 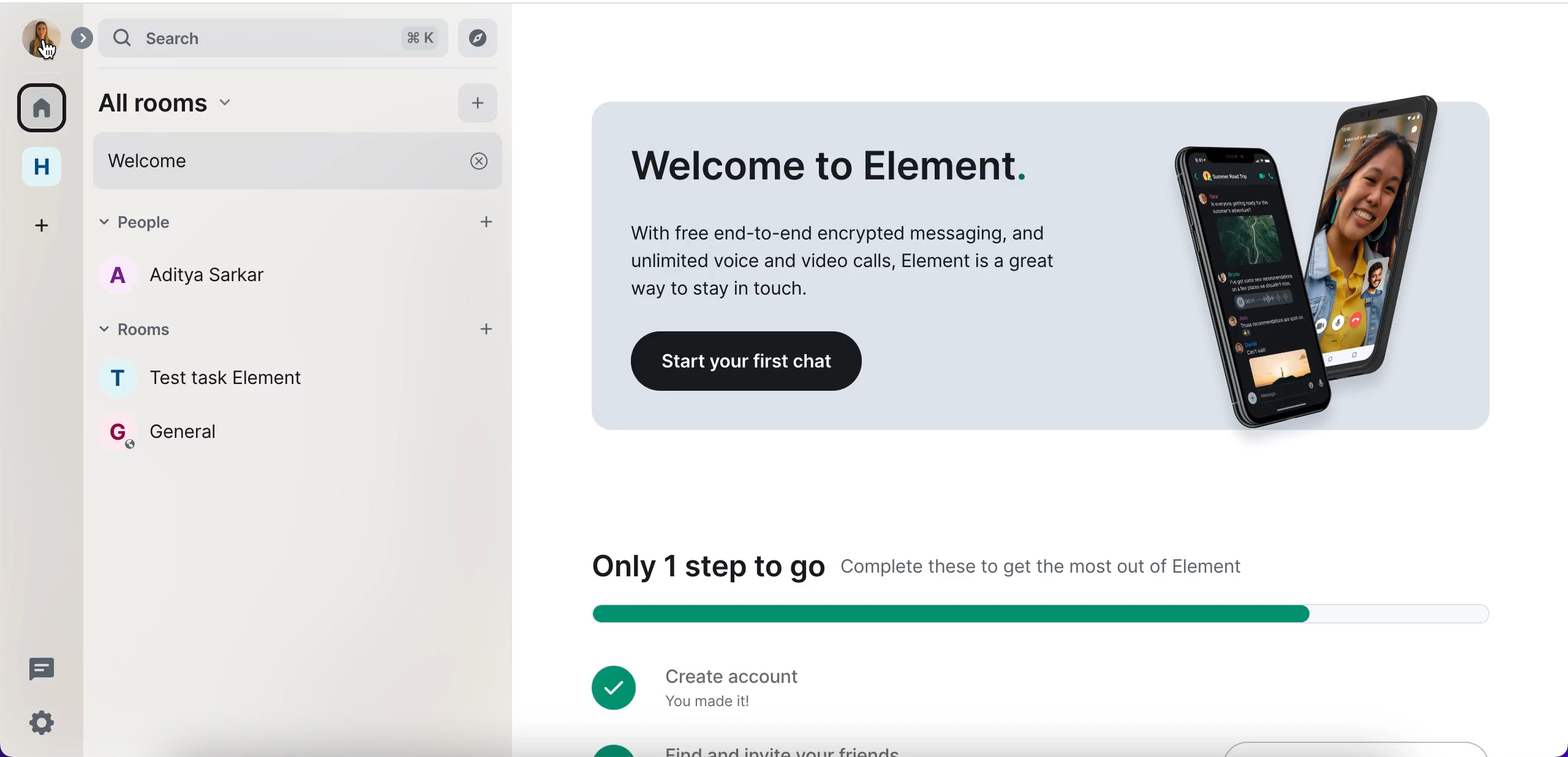 What do you see at coordinates (53, 51) in the screenshot?
I see `cursor on user` at bounding box center [53, 51].